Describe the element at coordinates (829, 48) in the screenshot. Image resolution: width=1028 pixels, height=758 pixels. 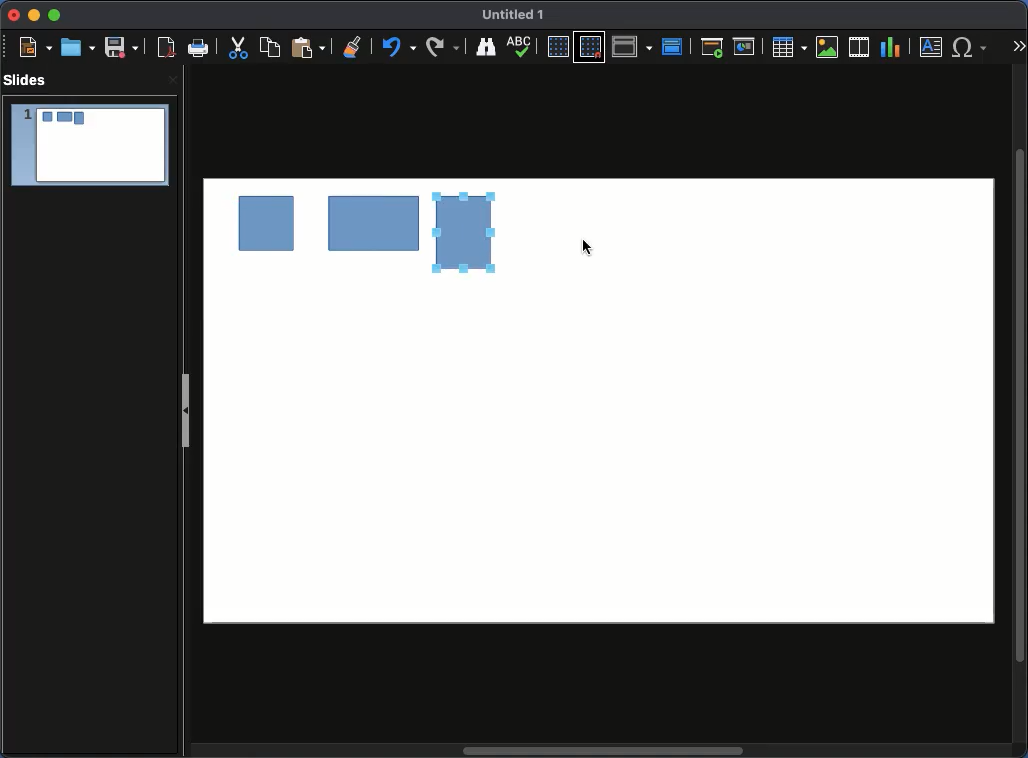
I see `Image` at that location.